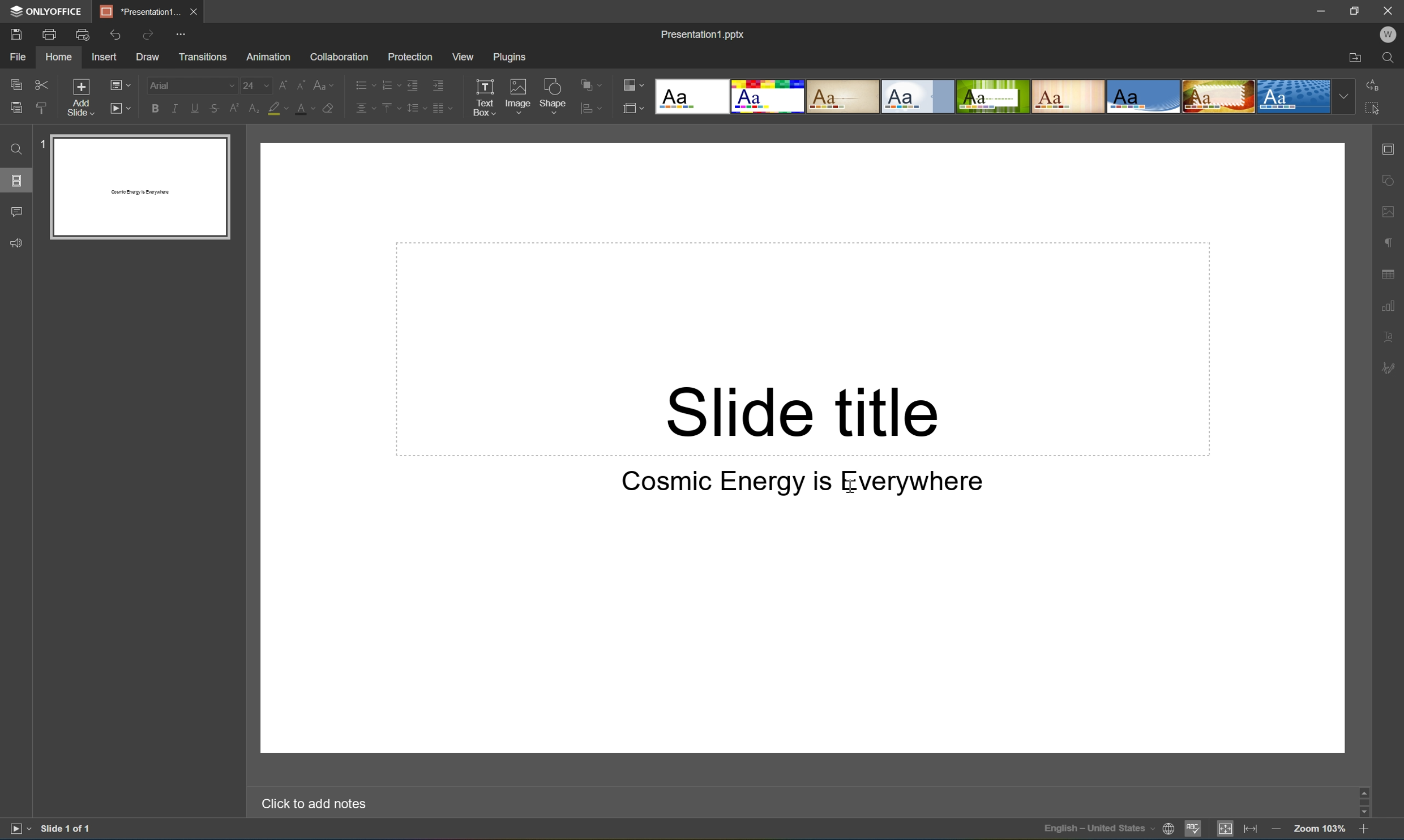  Describe the element at coordinates (82, 98) in the screenshot. I see `Add Slide` at that location.